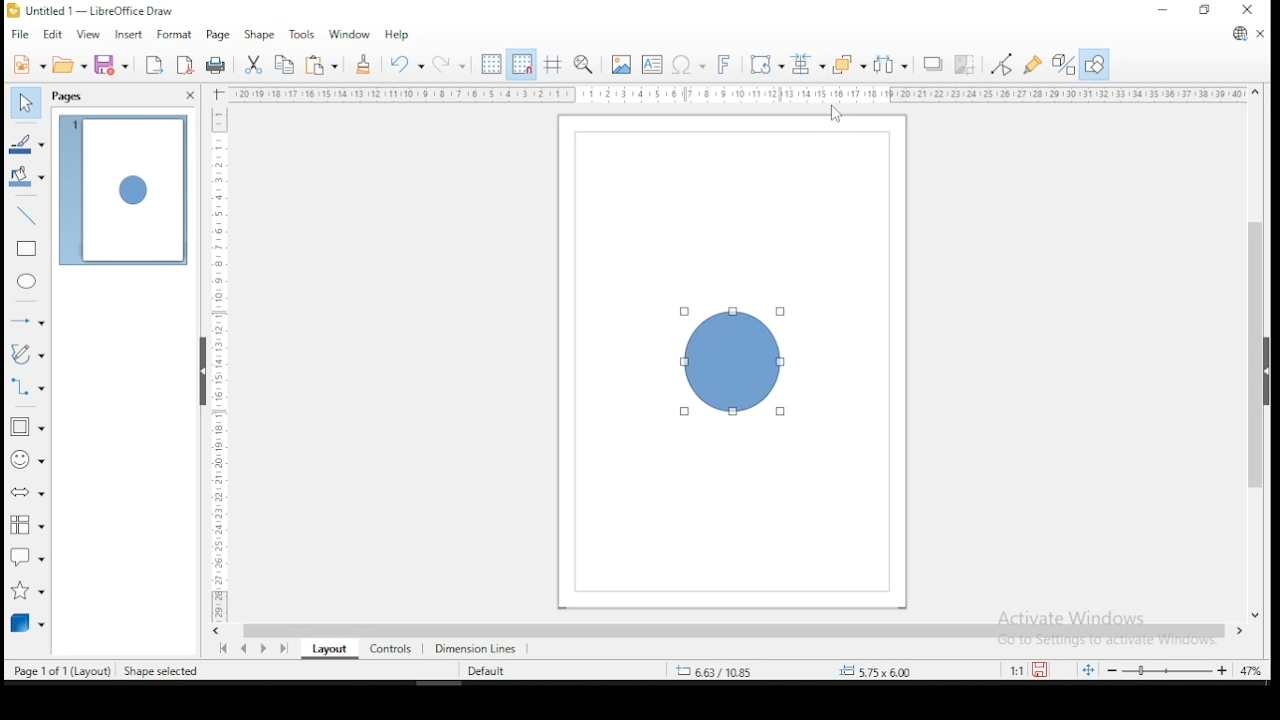 The height and width of the screenshot is (720, 1280). Describe the element at coordinates (217, 36) in the screenshot. I see `page` at that location.